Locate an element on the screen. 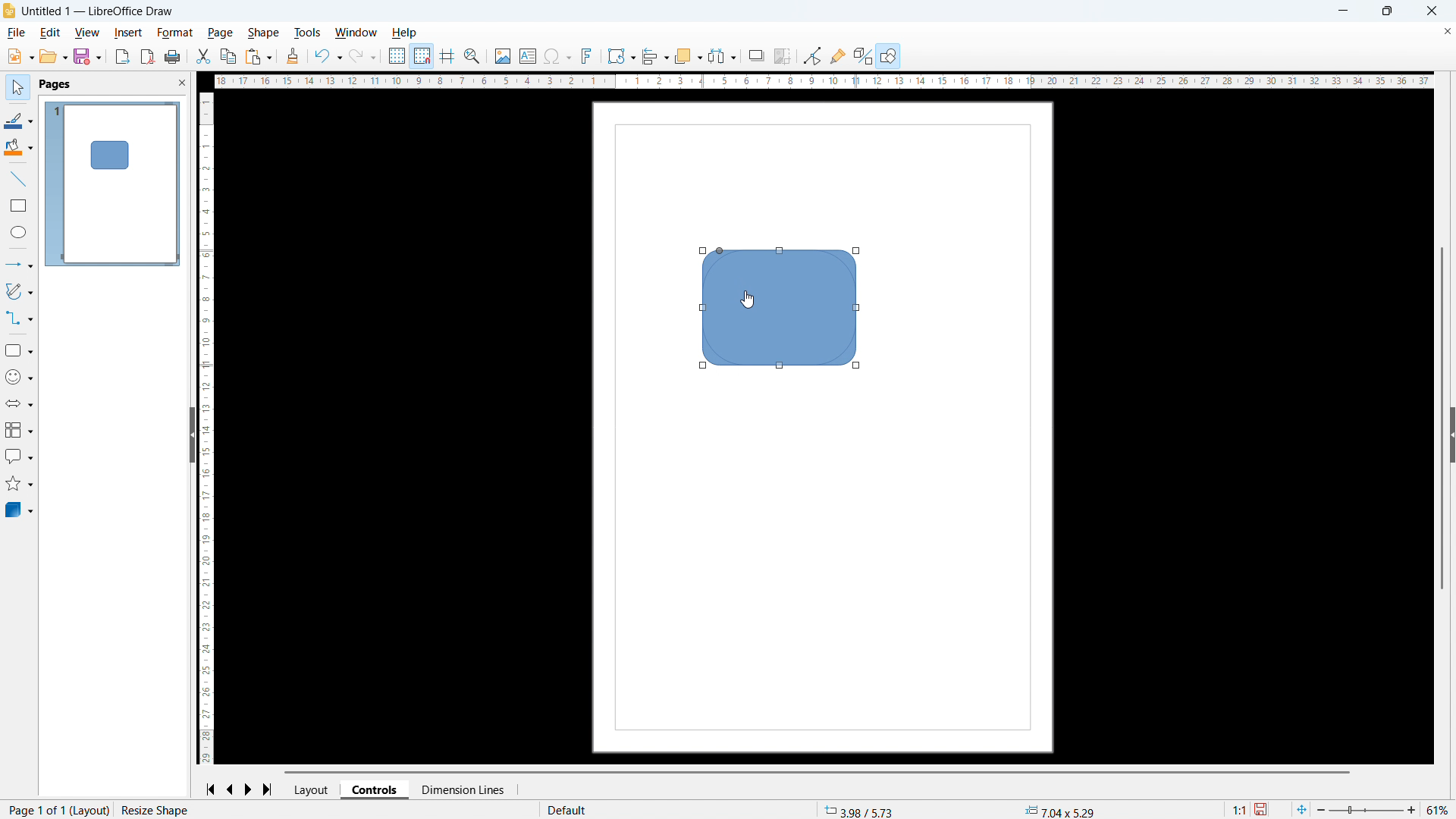 The height and width of the screenshot is (819, 1456). Tools  is located at coordinates (308, 32).